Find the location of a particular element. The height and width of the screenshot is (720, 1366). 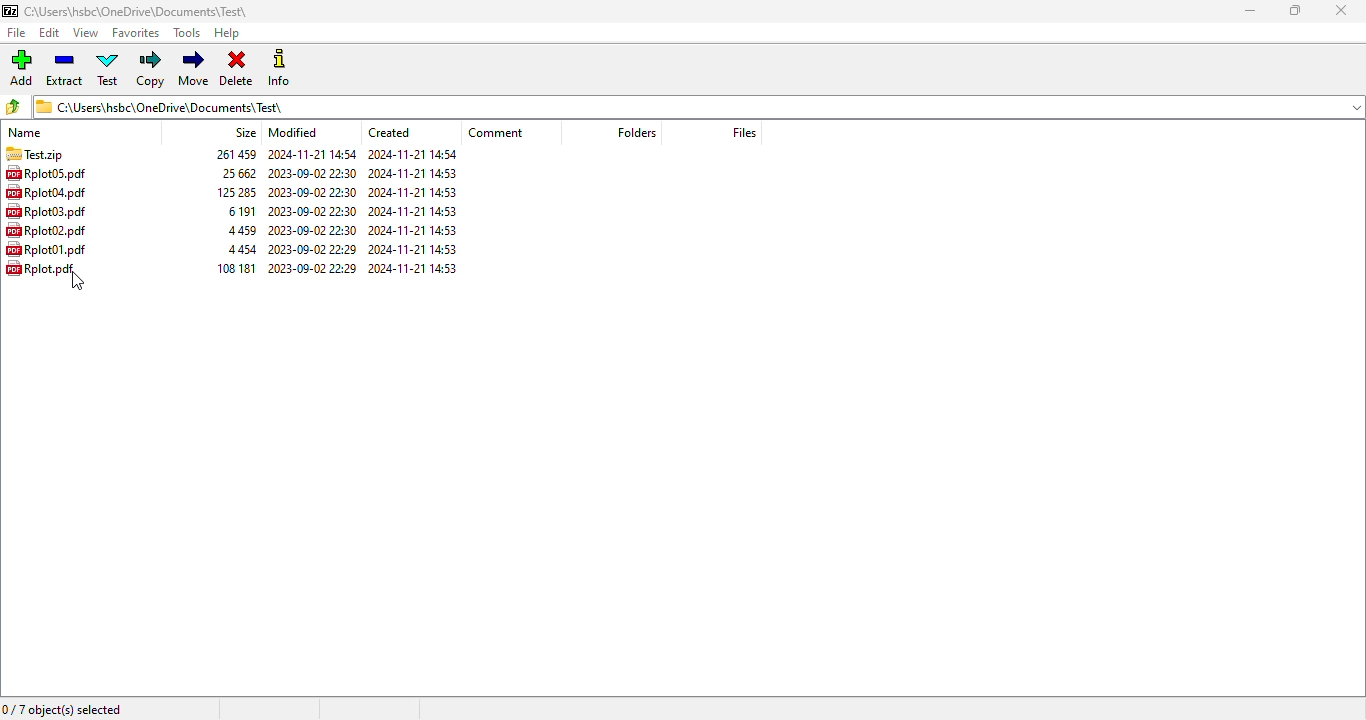

 2023-09-02 22:30 is located at coordinates (308, 229).